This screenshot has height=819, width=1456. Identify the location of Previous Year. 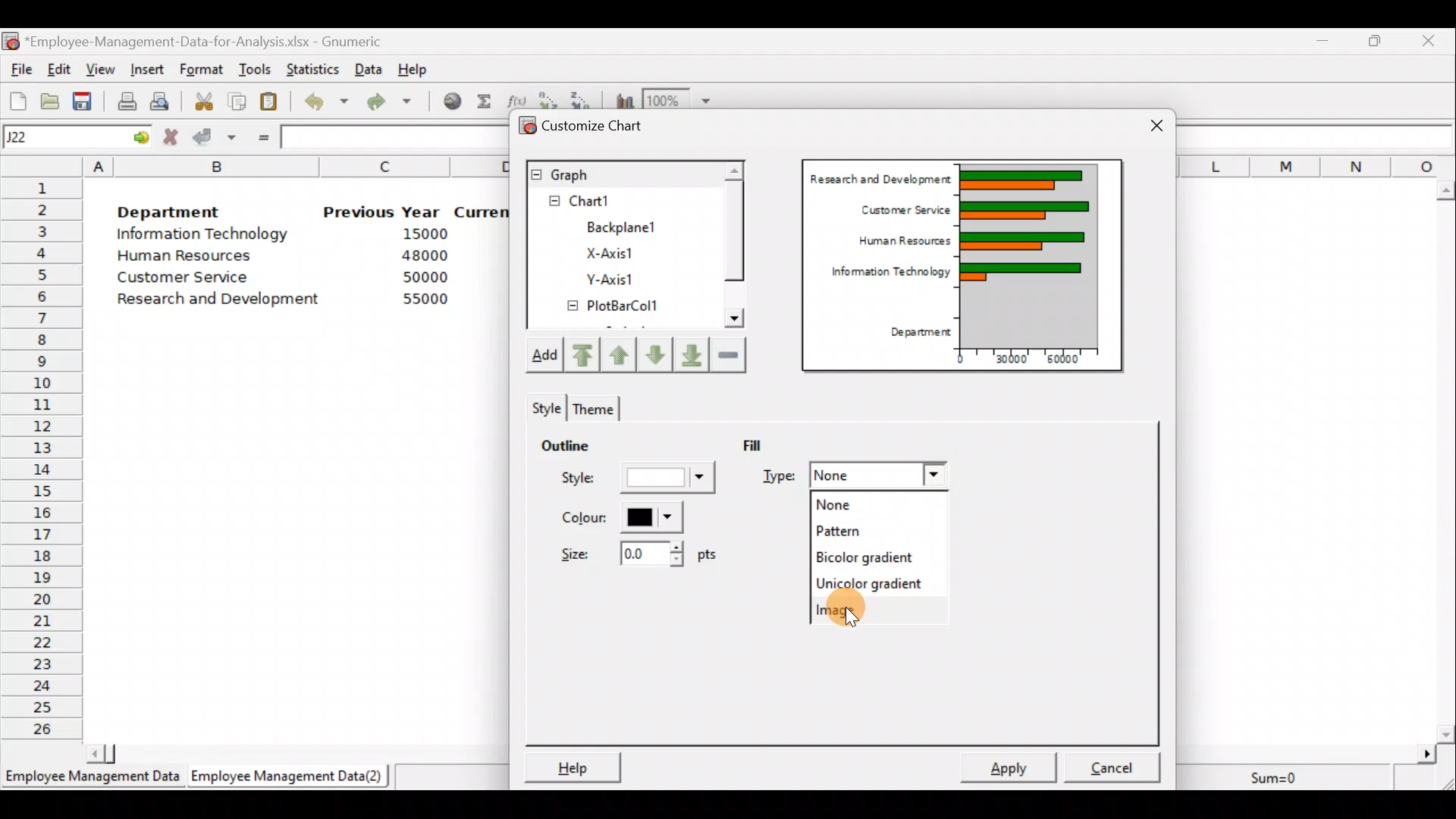
(383, 211).